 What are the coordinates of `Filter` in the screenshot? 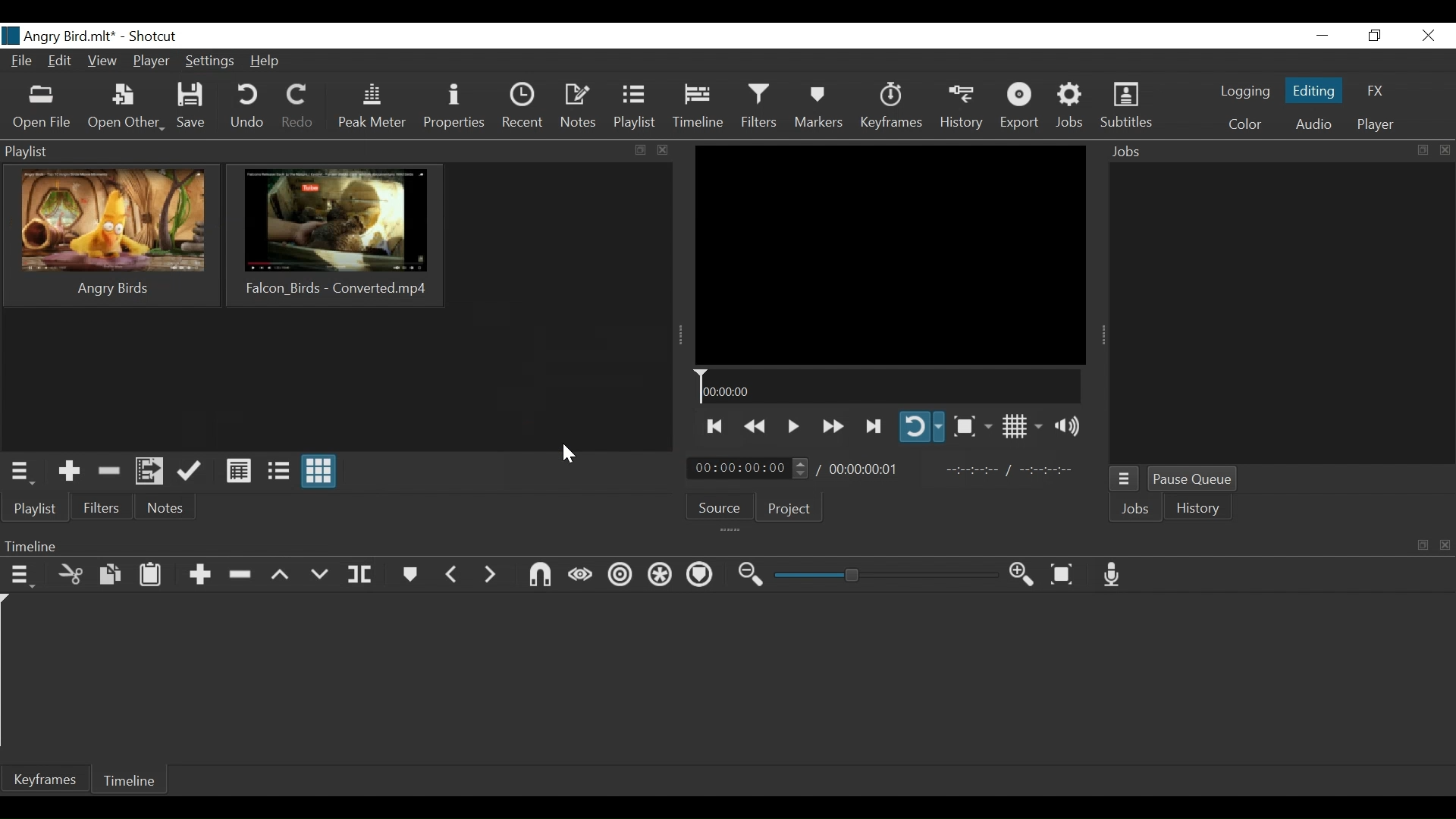 It's located at (759, 108).